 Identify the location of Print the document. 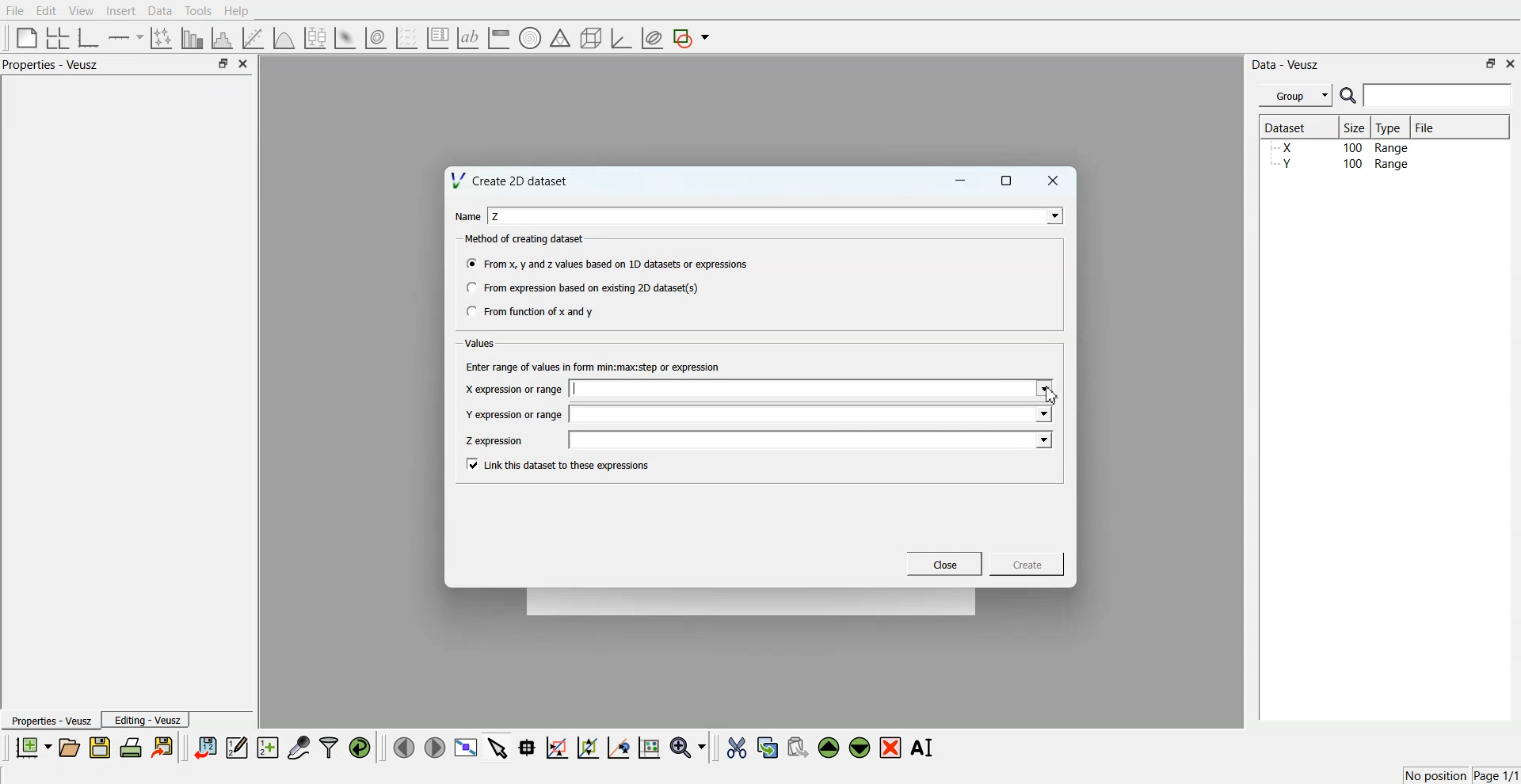
(130, 747).